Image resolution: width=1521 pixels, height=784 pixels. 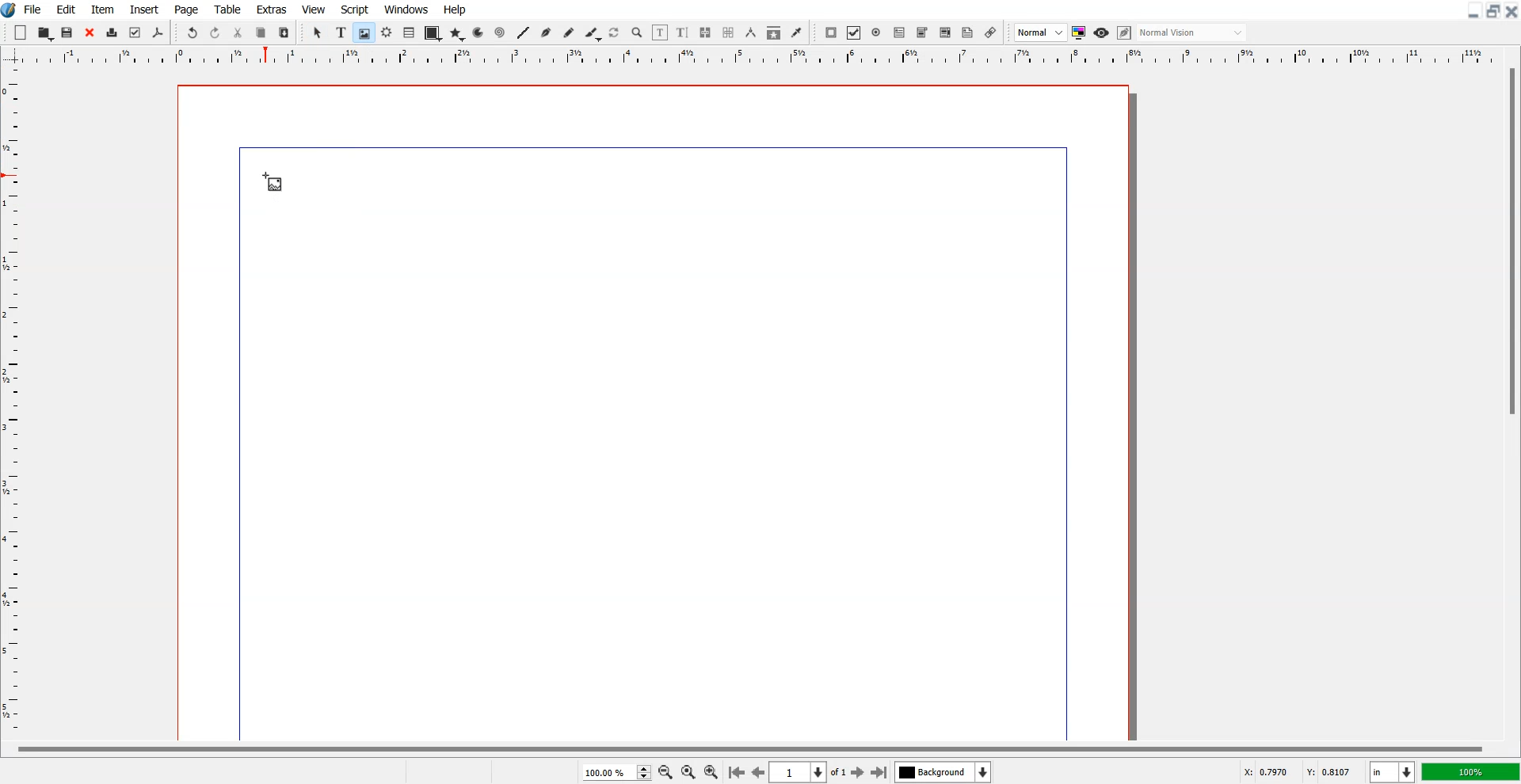 What do you see at coordinates (705, 32) in the screenshot?
I see `Link Text frame` at bounding box center [705, 32].